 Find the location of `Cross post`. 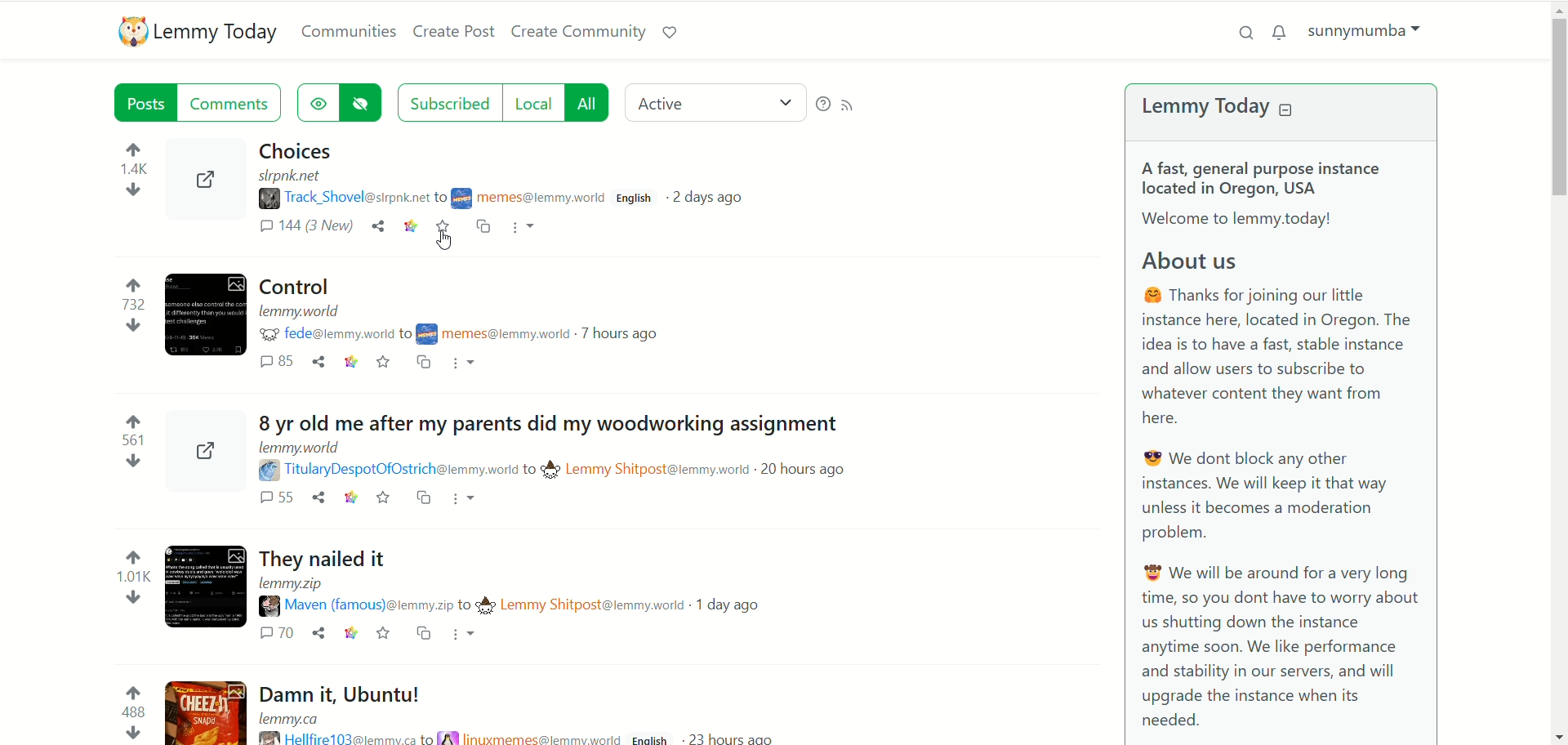

Cross post is located at coordinates (423, 362).